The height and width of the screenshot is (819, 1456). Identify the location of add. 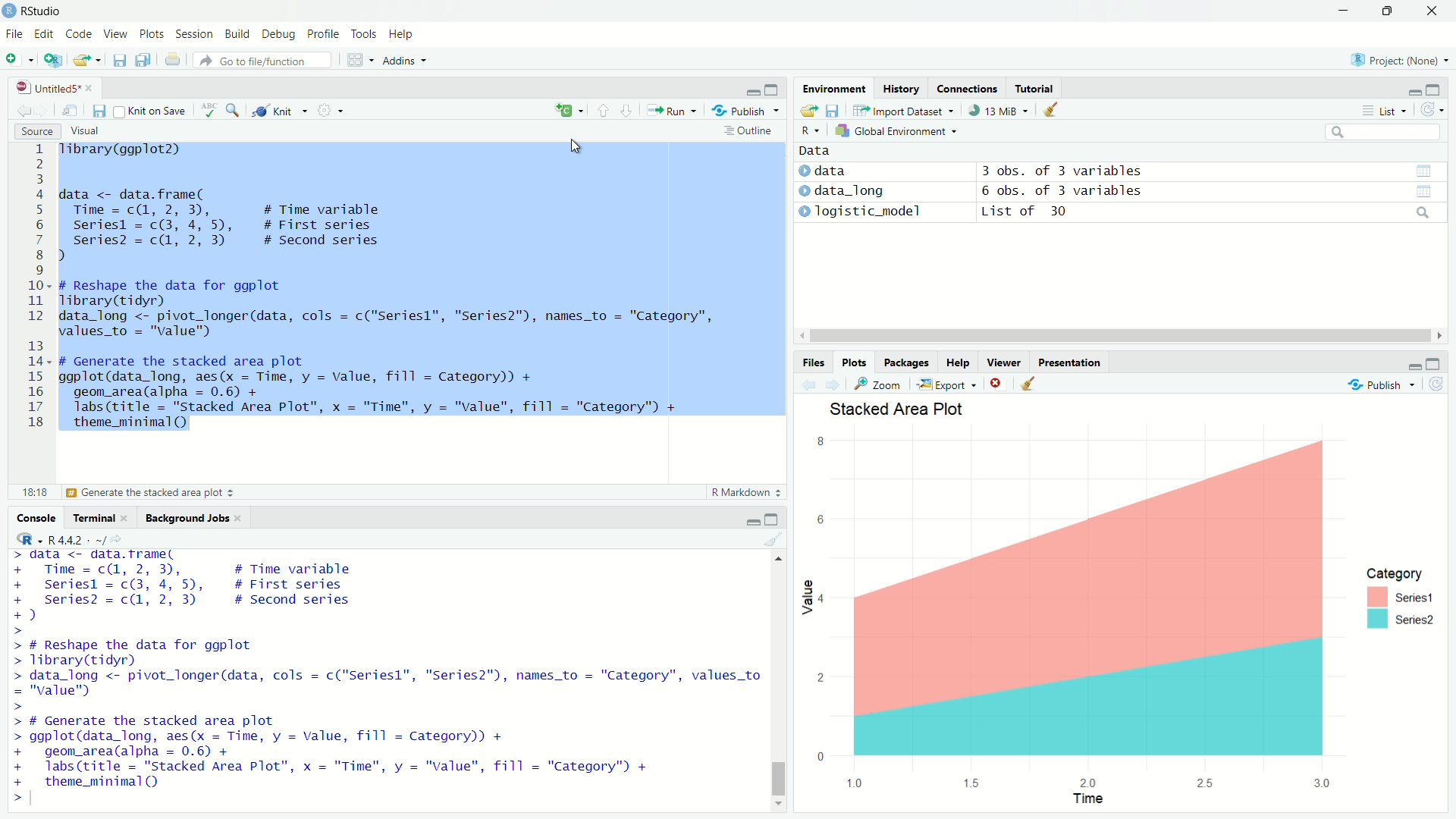
(18, 59).